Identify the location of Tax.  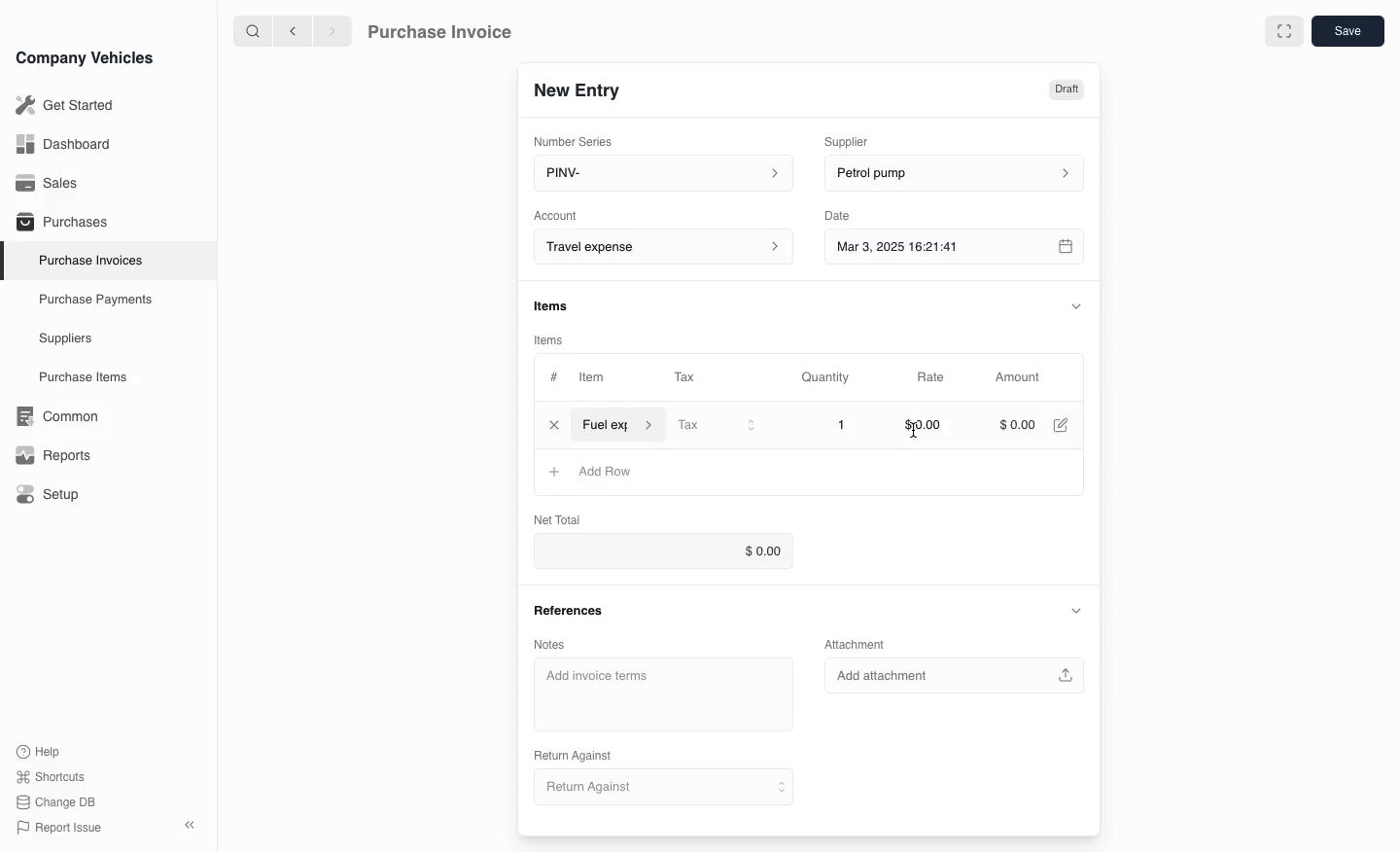
(693, 378).